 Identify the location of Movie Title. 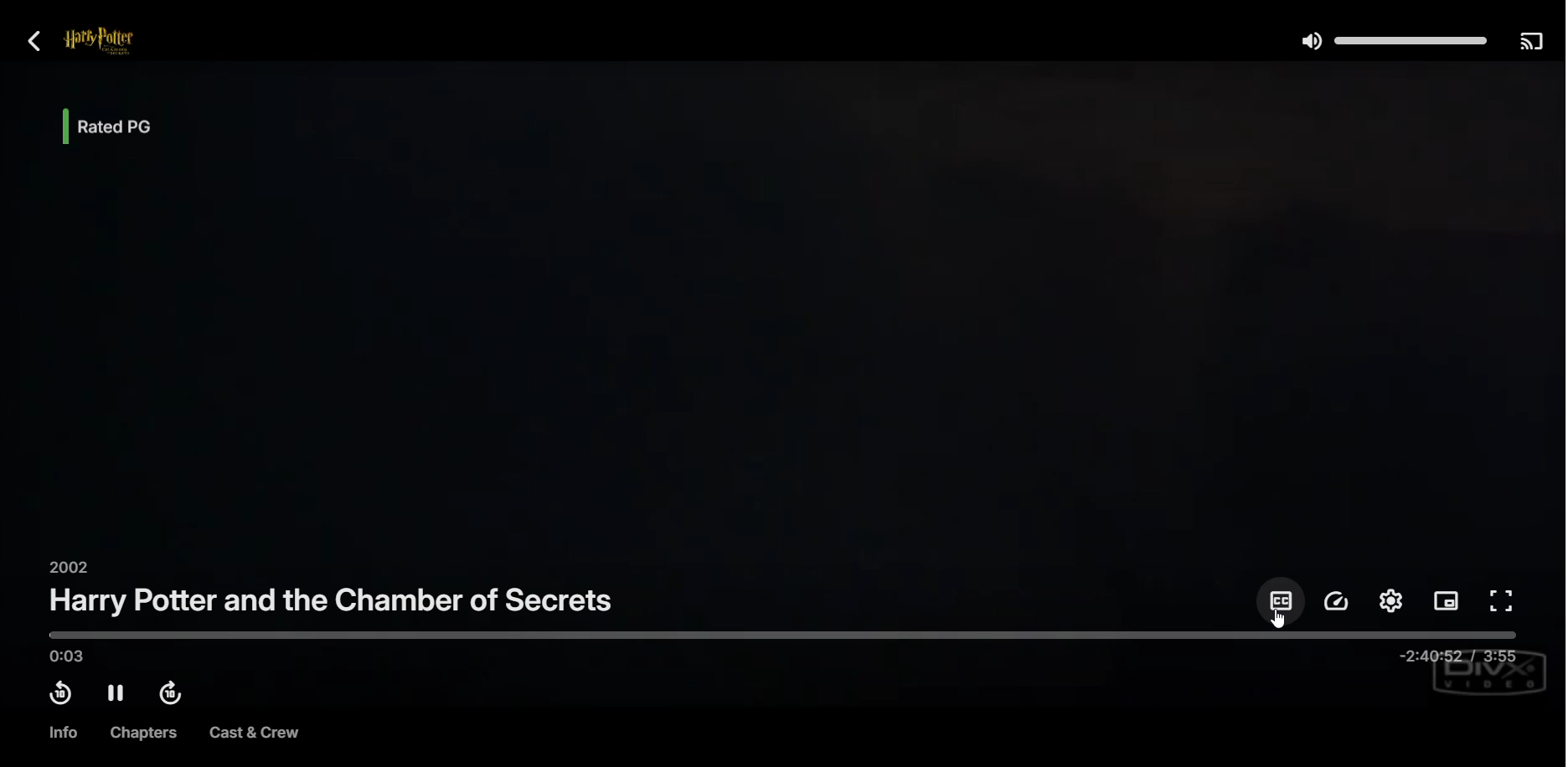
(333, 600).